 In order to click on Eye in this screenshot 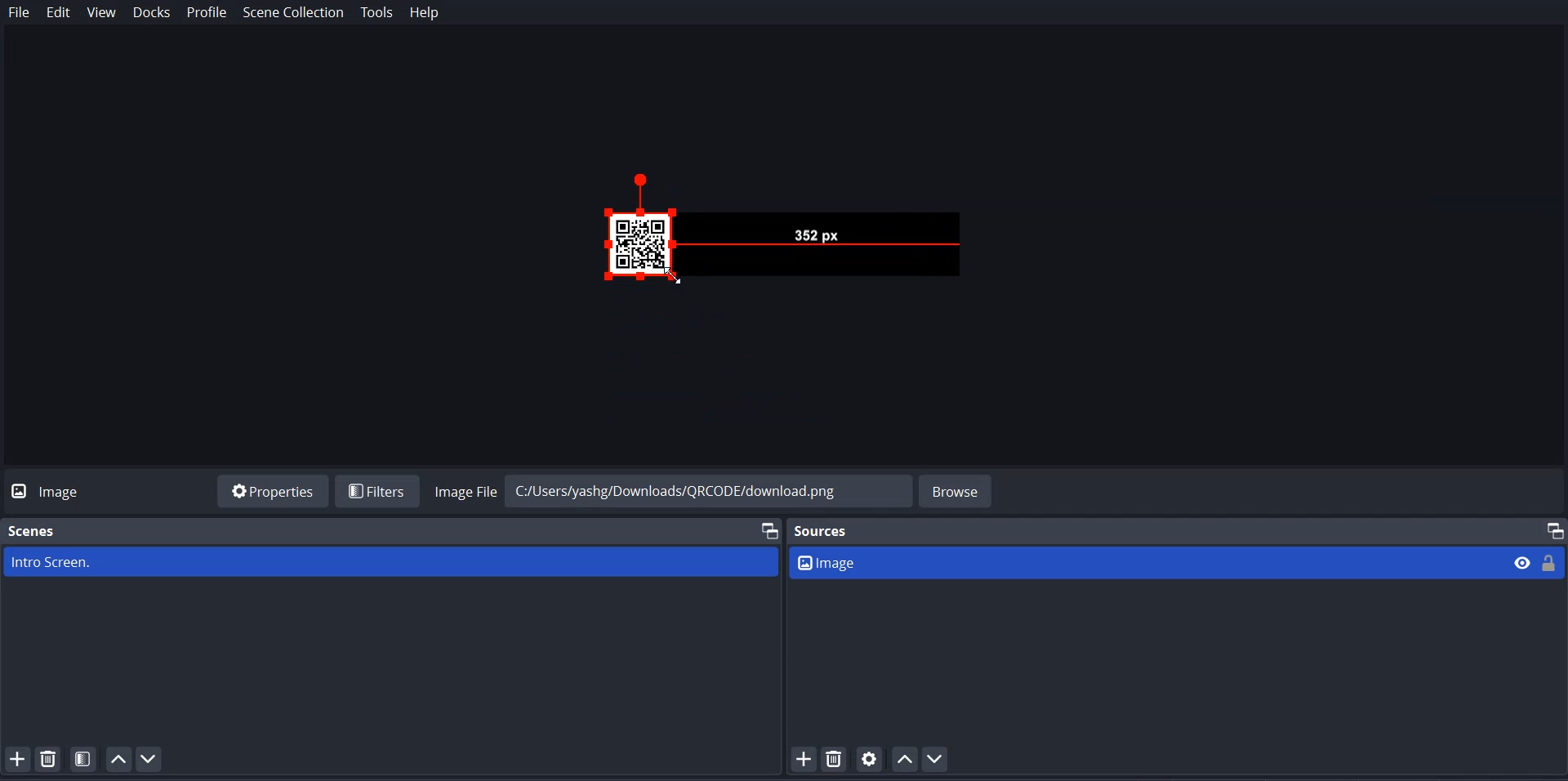, I will do `click(1523, 562)`.